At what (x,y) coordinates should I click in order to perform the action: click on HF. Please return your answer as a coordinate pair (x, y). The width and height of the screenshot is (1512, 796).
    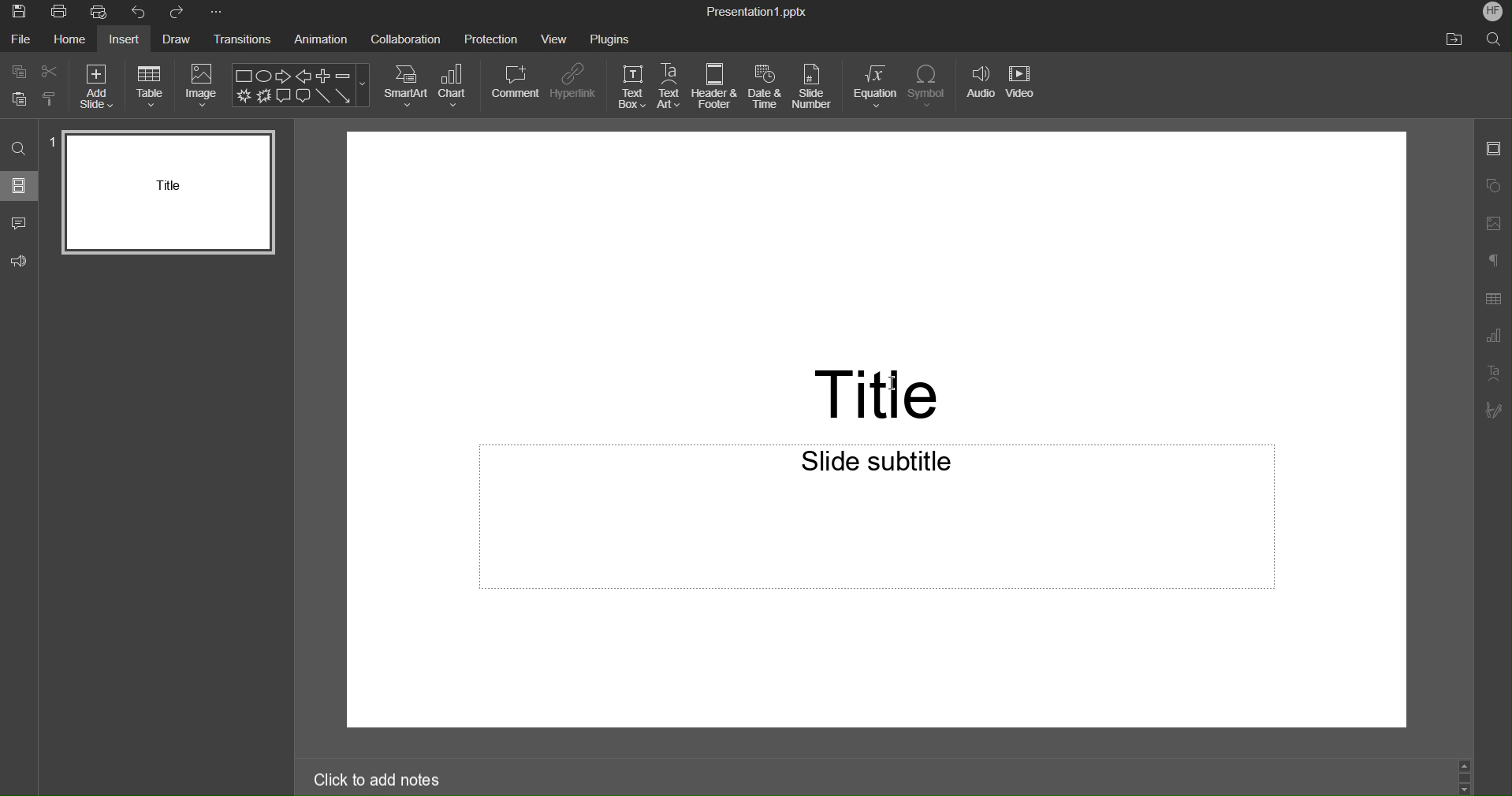
    Looking at the image, I should click on (1488, 11).